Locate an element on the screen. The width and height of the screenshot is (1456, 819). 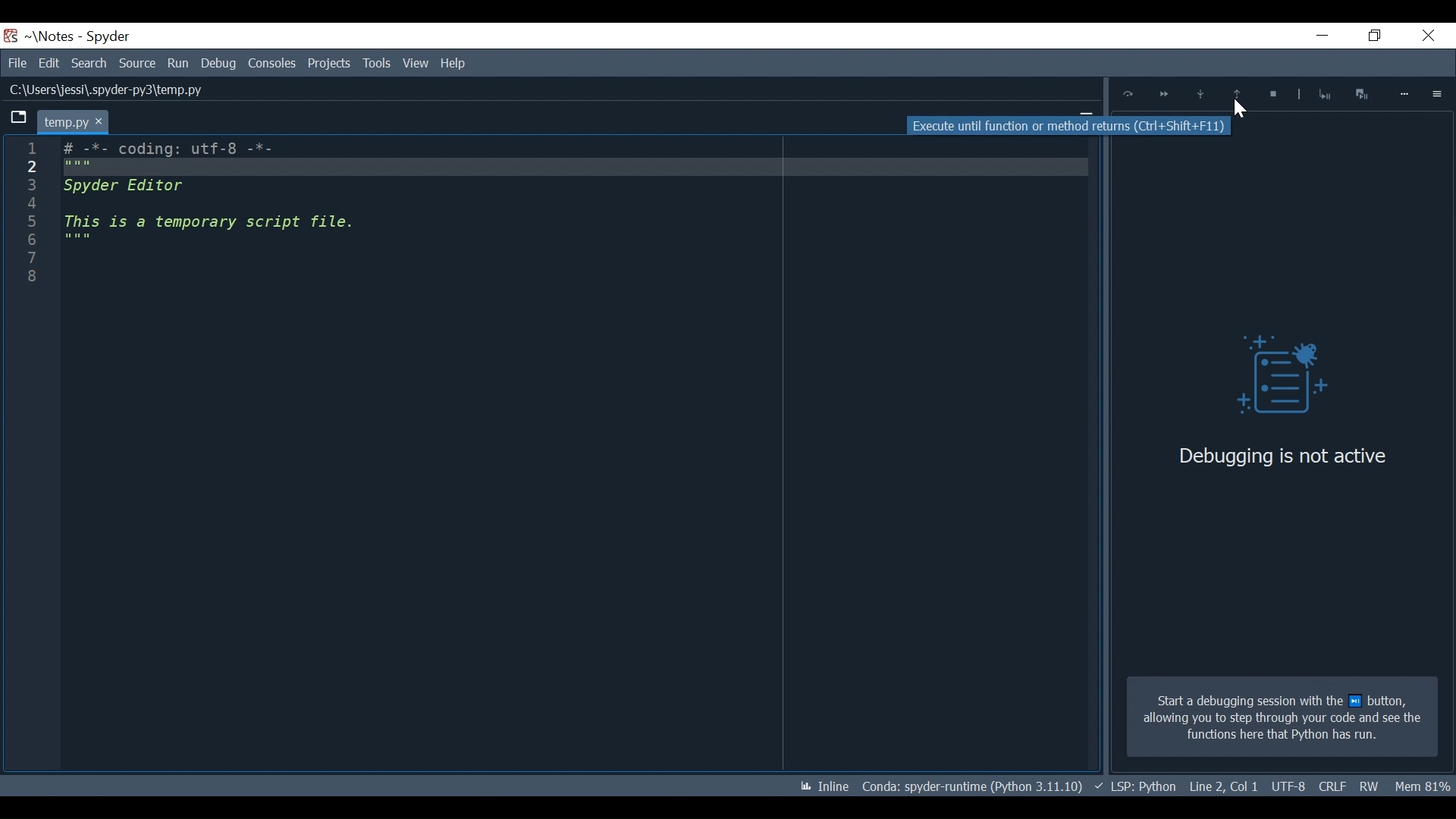
File EQL Status is located at coordinates (1224, 786).